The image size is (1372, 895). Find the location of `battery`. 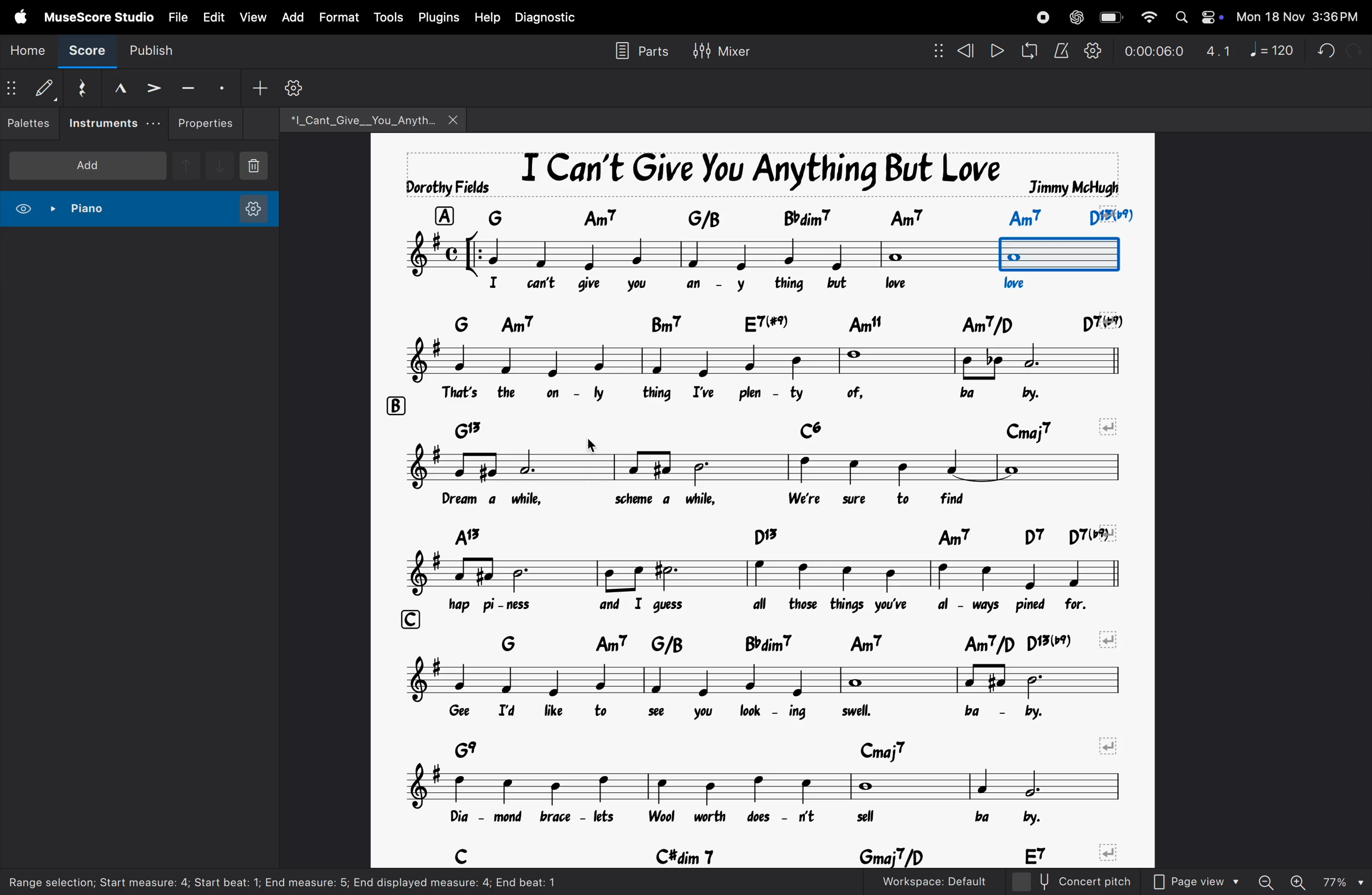

battery is located at coordinates (1109, 17).